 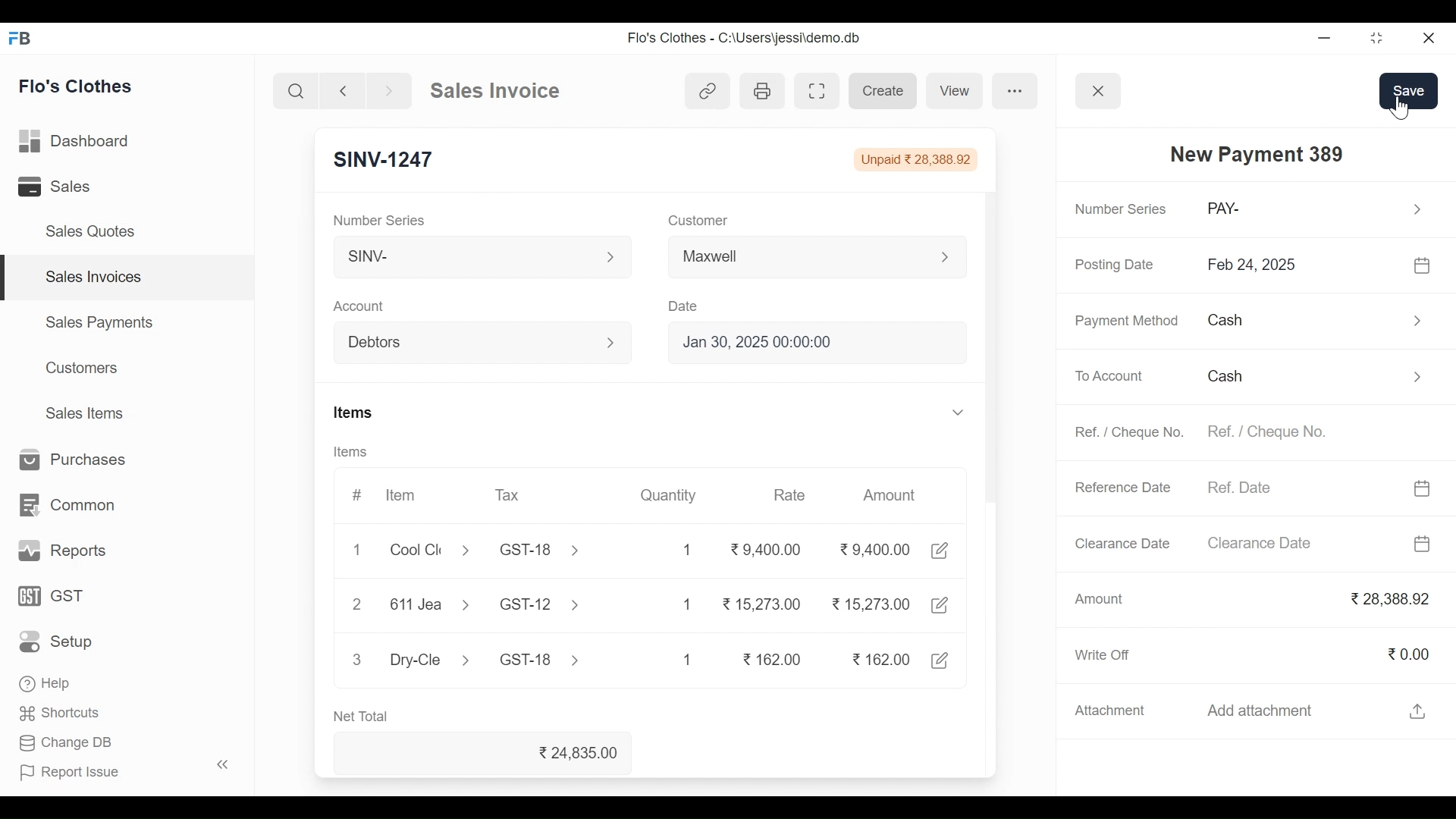 What do you see at coordinates (385, 91) in the screenshot?
I see `Go Forward` at bounding box center [385, 91].